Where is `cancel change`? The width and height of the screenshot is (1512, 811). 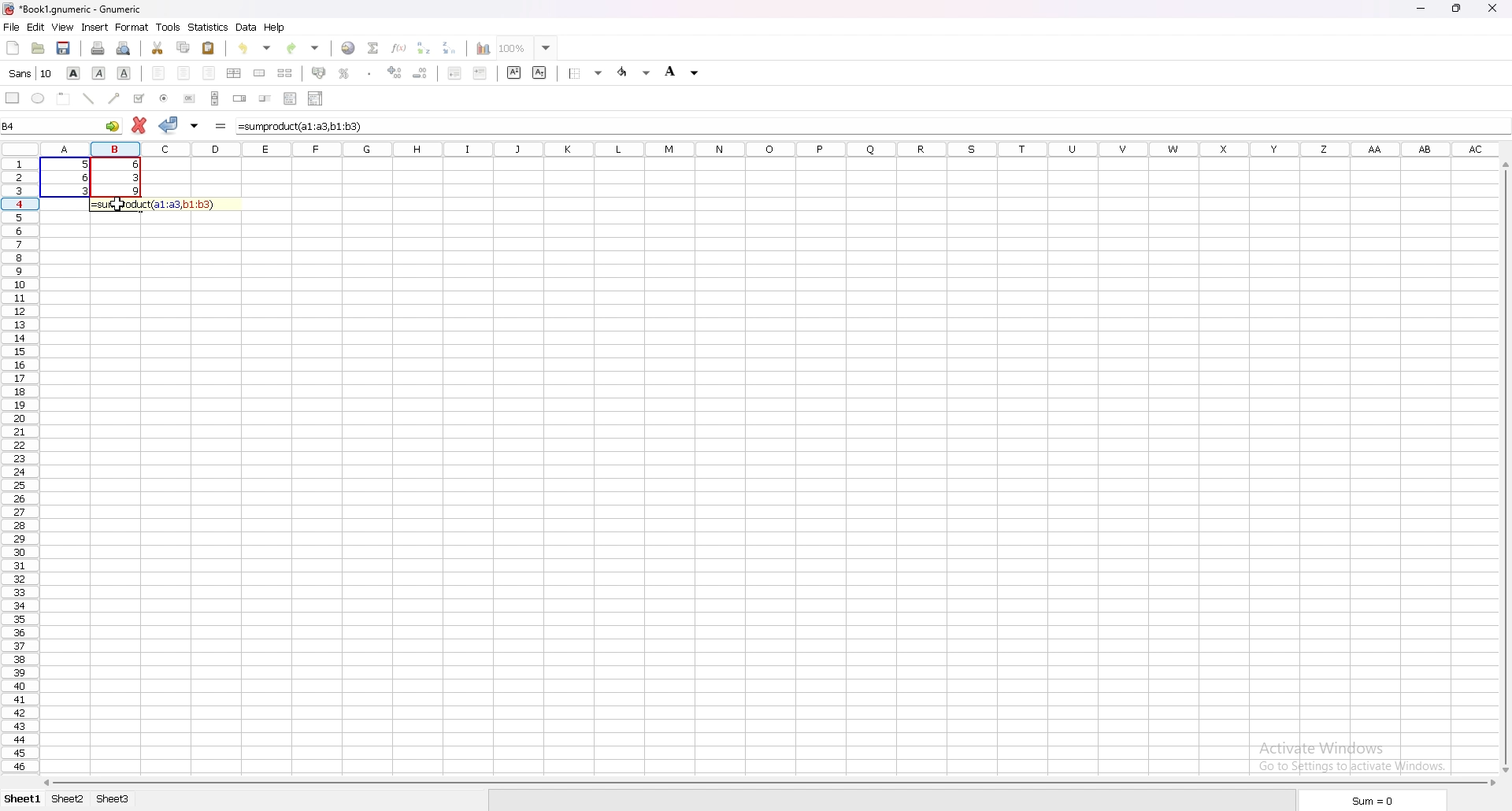
cancel change is located at coordinates (138, 127).